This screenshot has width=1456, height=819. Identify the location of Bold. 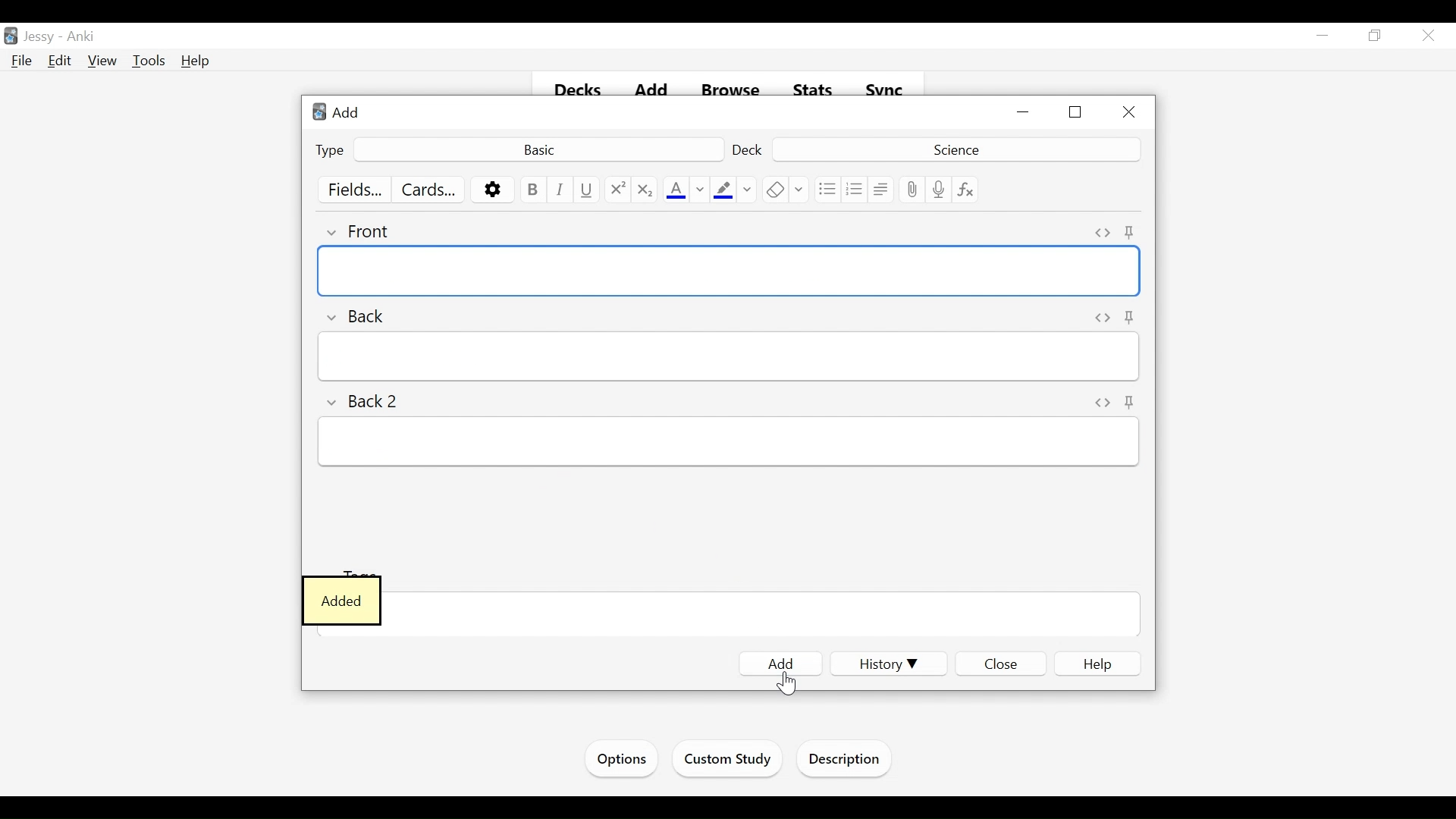
(532, 190).